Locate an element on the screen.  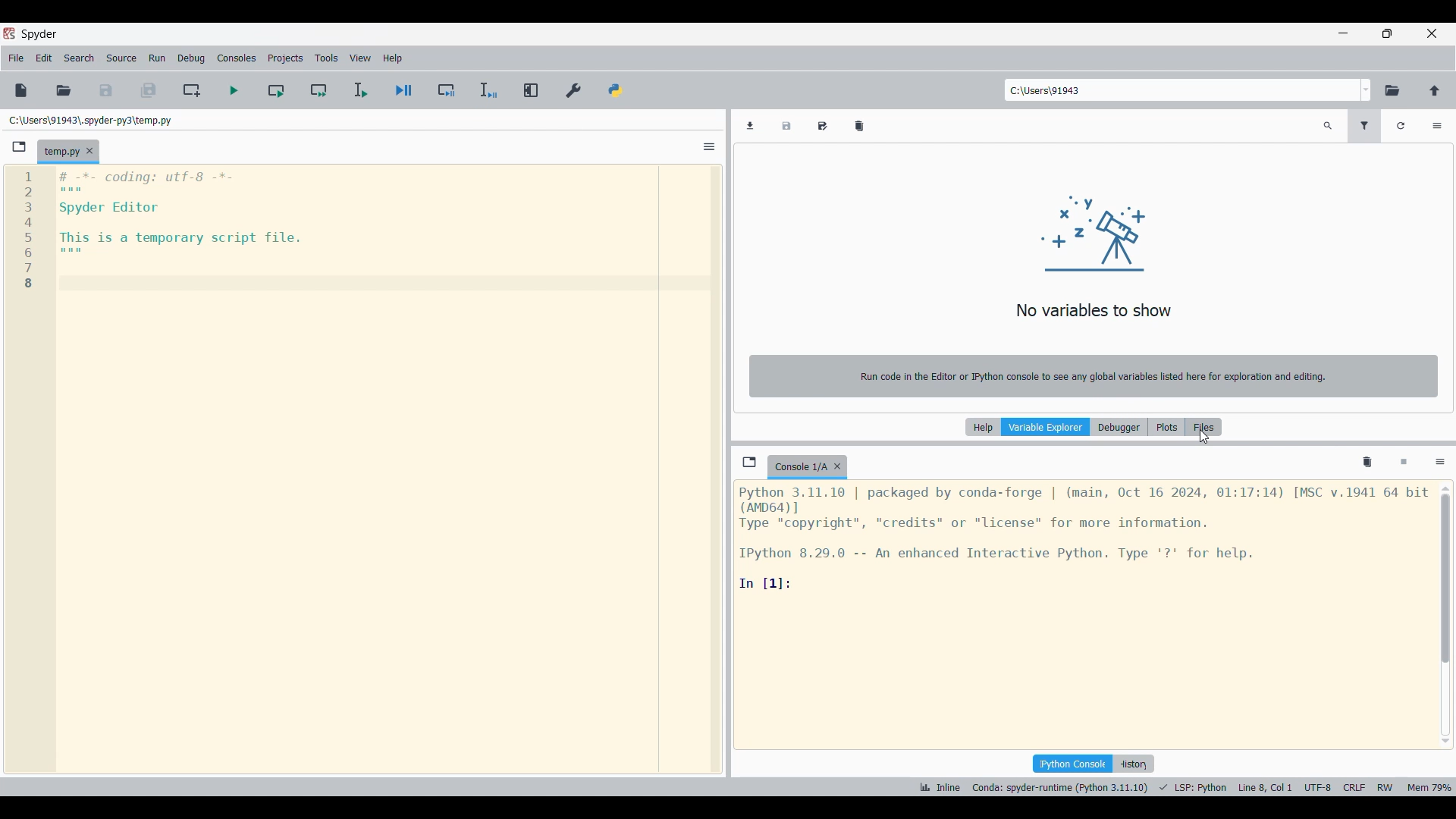
Vertical slide bar is located at coordinates (1445, 615).